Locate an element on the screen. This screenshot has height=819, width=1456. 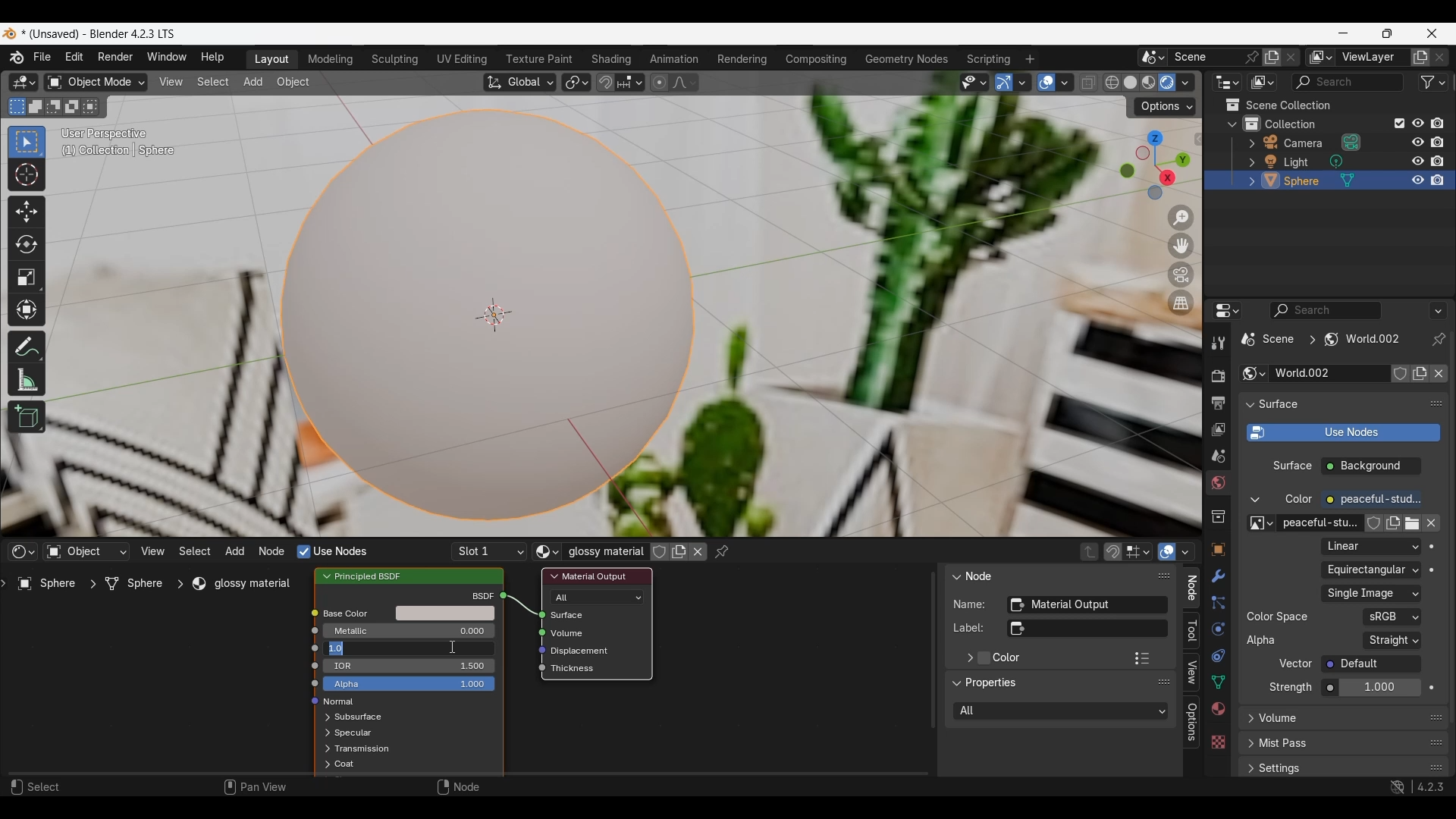
settings is located at coordinates (1283, 769).